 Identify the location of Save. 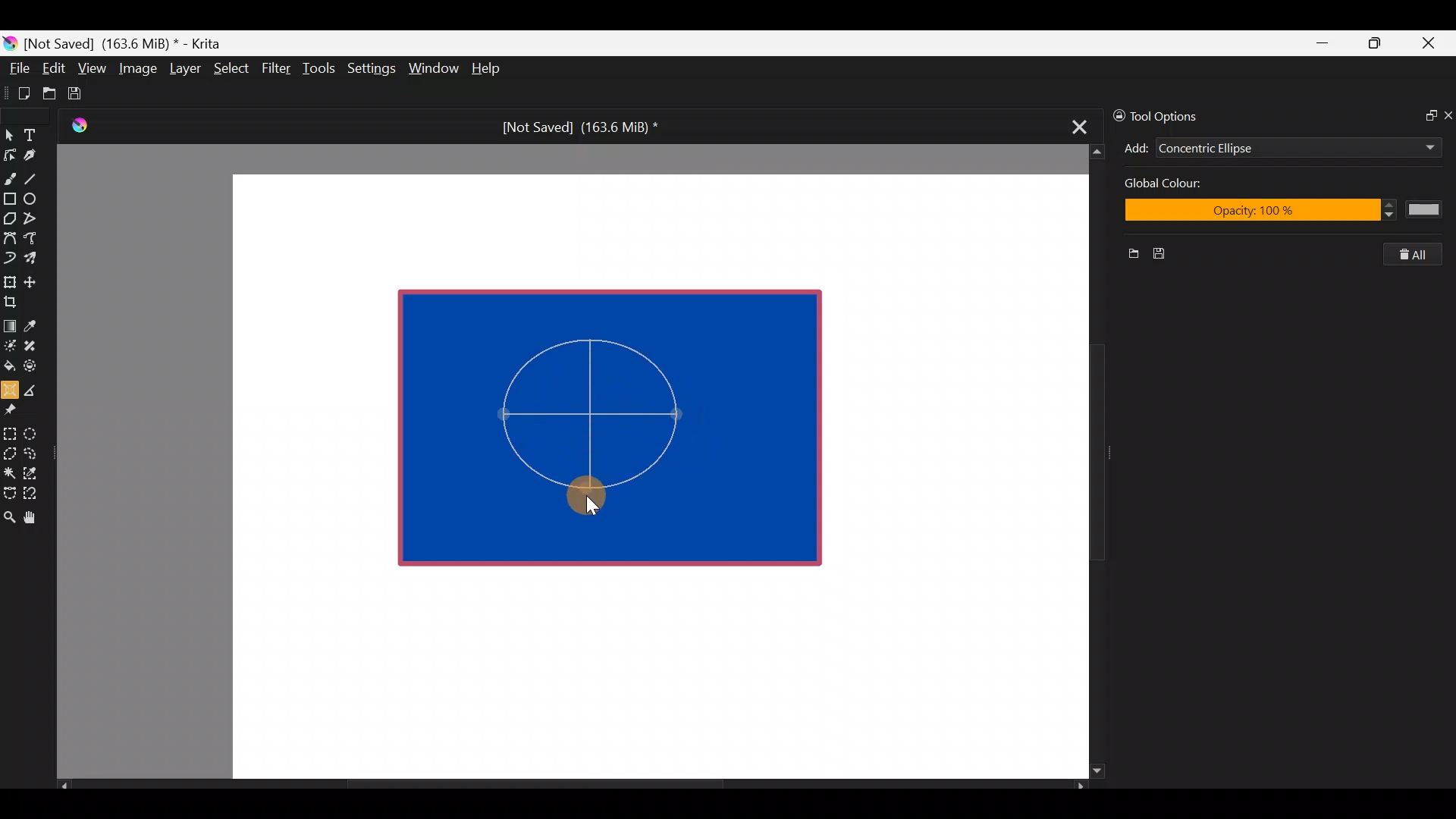
(1165, 254).